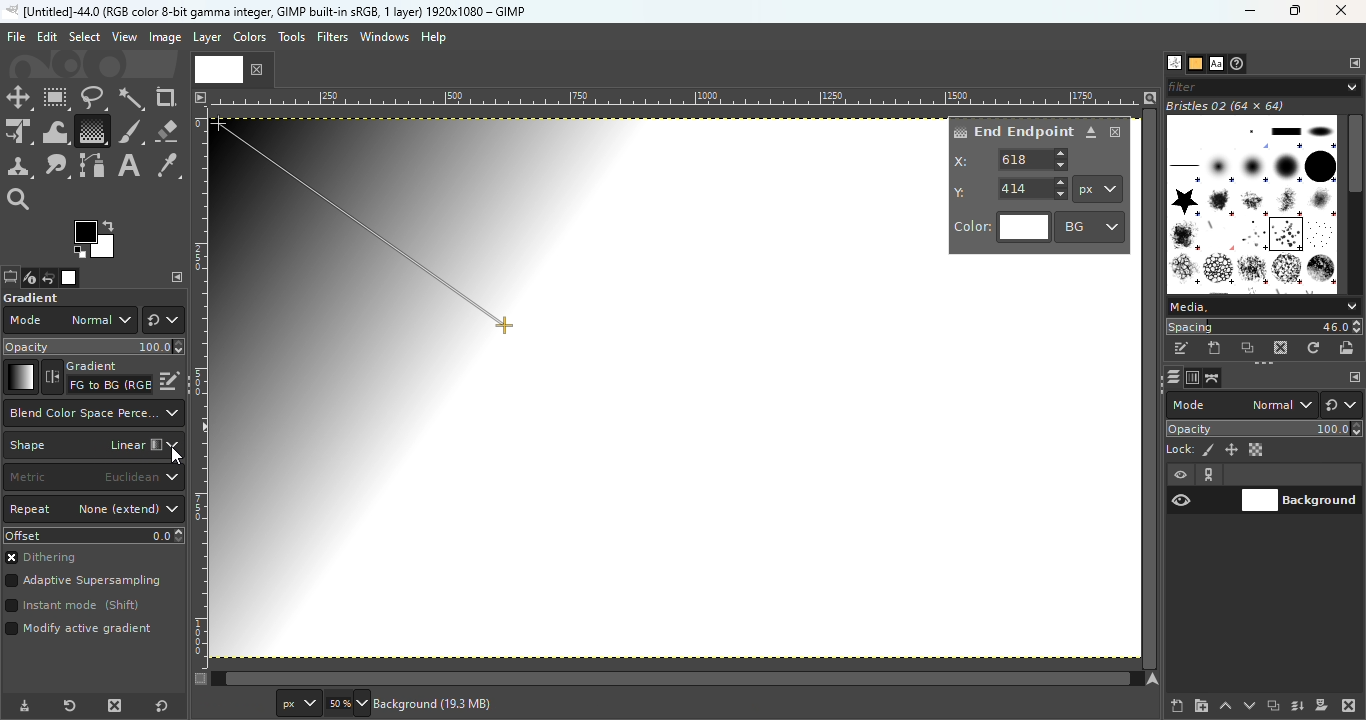 The width and height of the screenshot is (1366, 720). What do you see at coordinates (93, 166) in the screenshot?
I see `Paths tool` at bounding box center [93, 166].